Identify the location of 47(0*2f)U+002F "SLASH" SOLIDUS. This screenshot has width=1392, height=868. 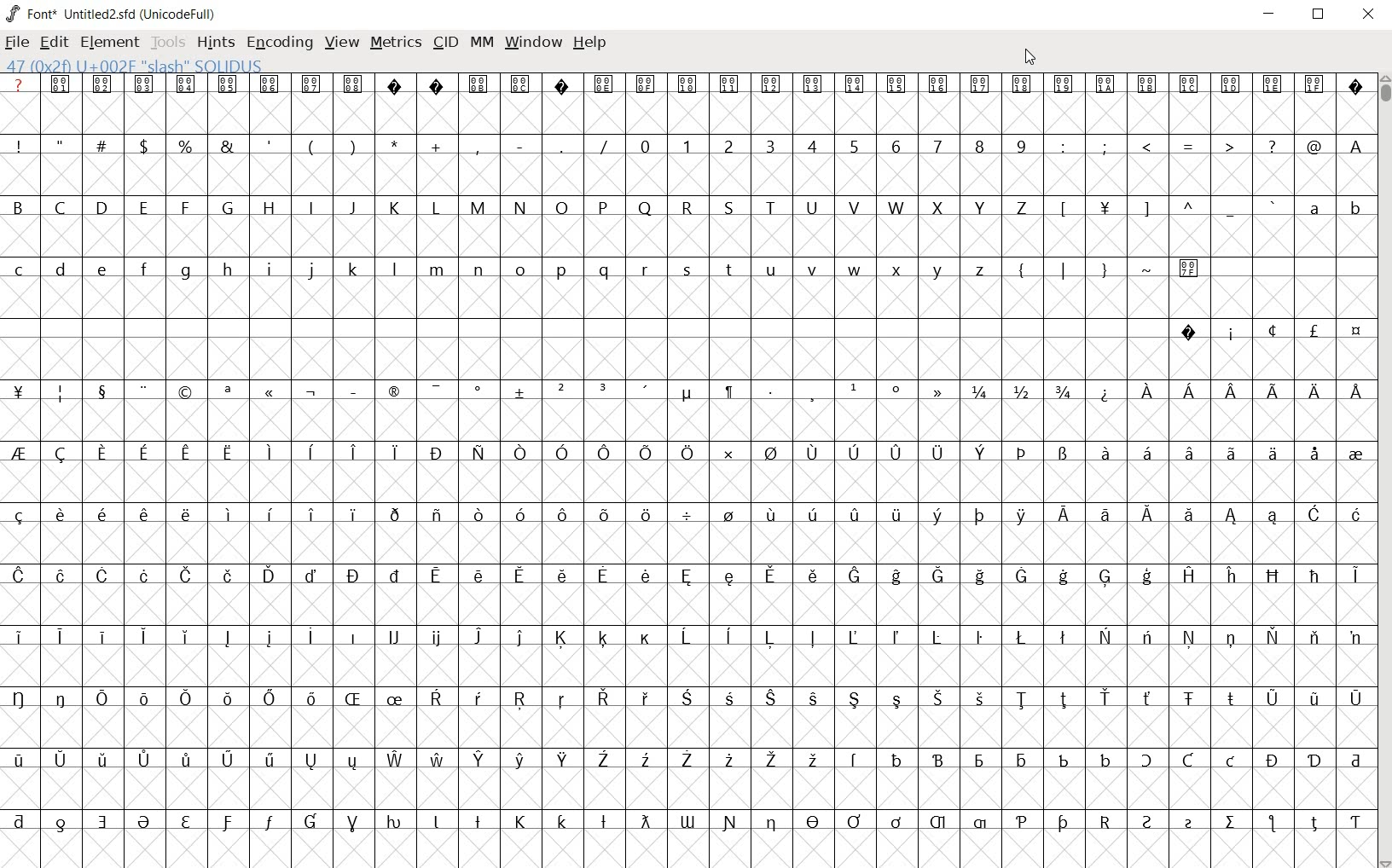
(134, 65).